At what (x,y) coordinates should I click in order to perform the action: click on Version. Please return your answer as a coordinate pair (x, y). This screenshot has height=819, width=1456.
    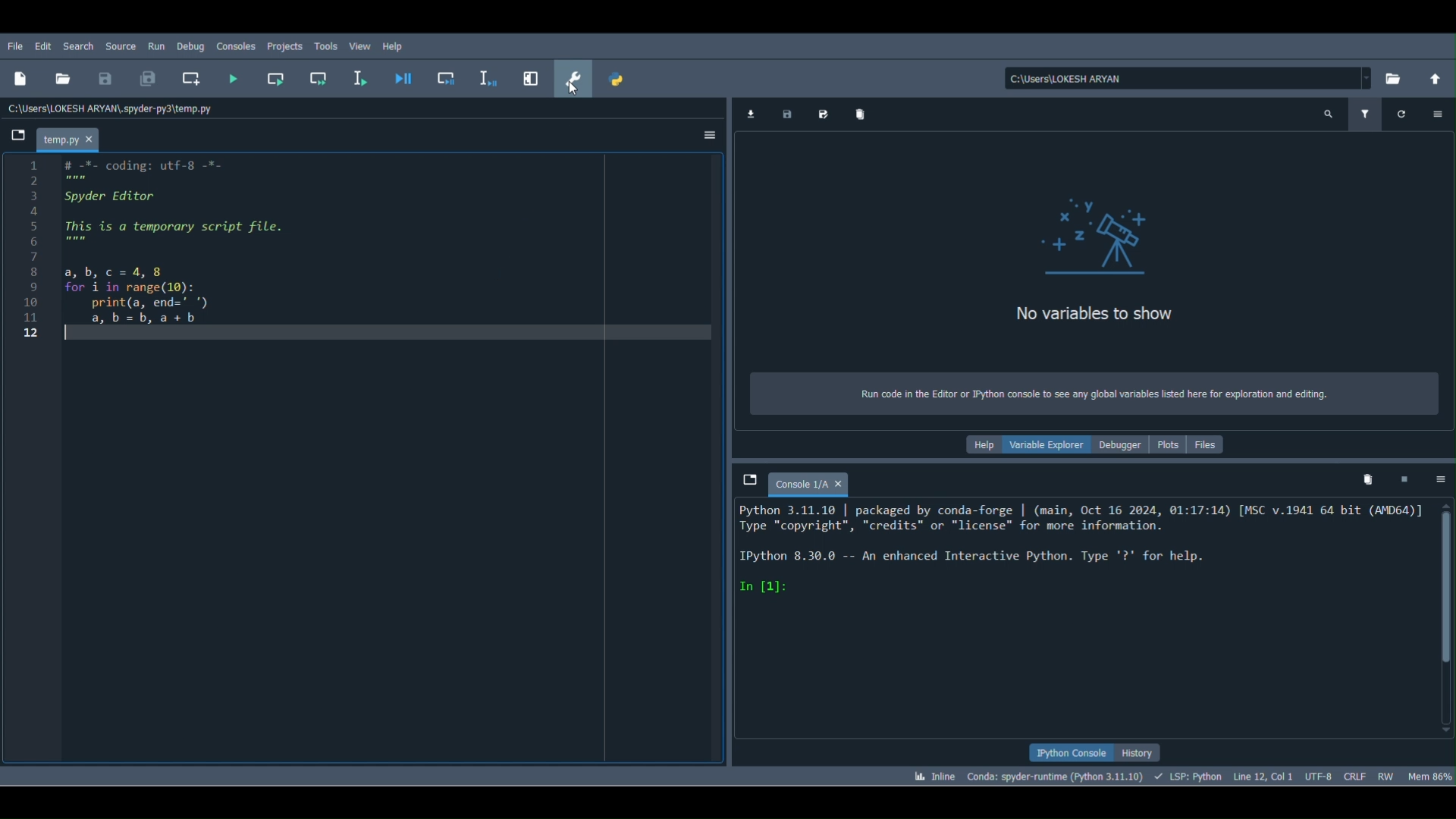
    Looking at the image, I should click on (1056, 774).